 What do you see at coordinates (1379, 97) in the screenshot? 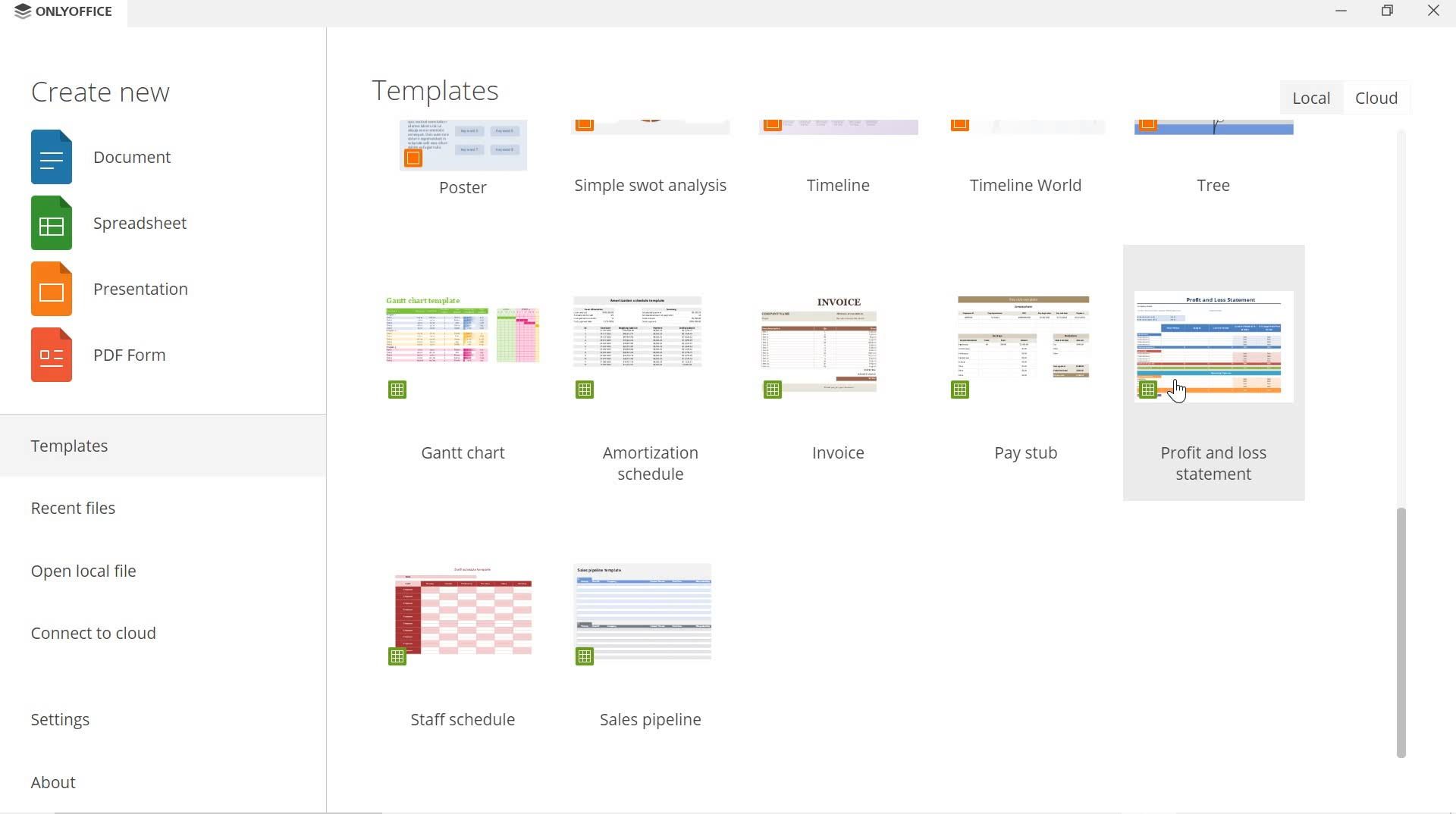
I see `cloud` at bounding box center [1379, 97].